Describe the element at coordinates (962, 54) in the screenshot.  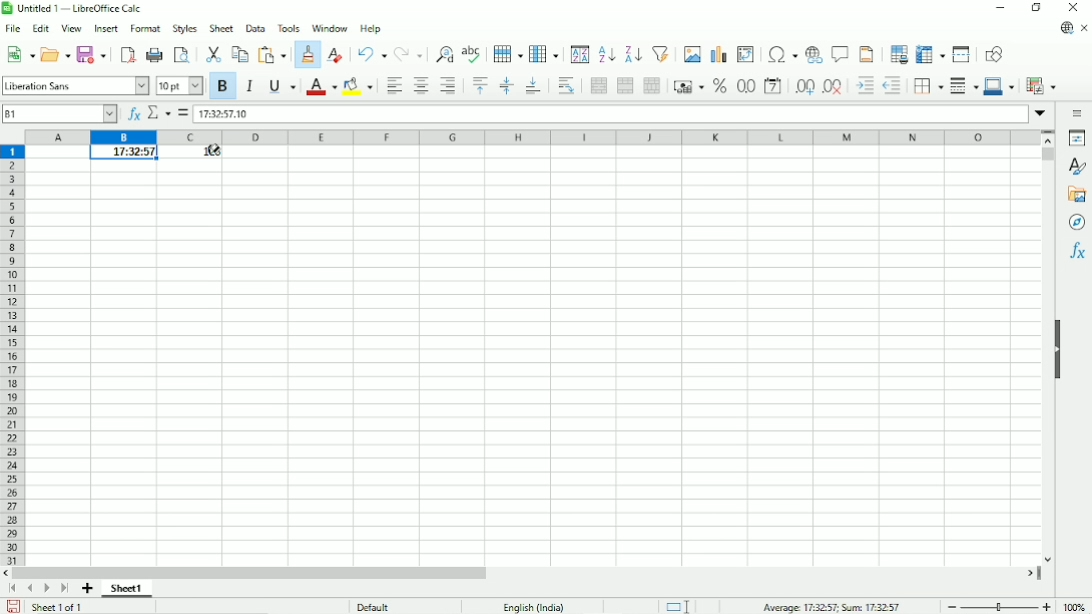
I see `Split window` at that location.